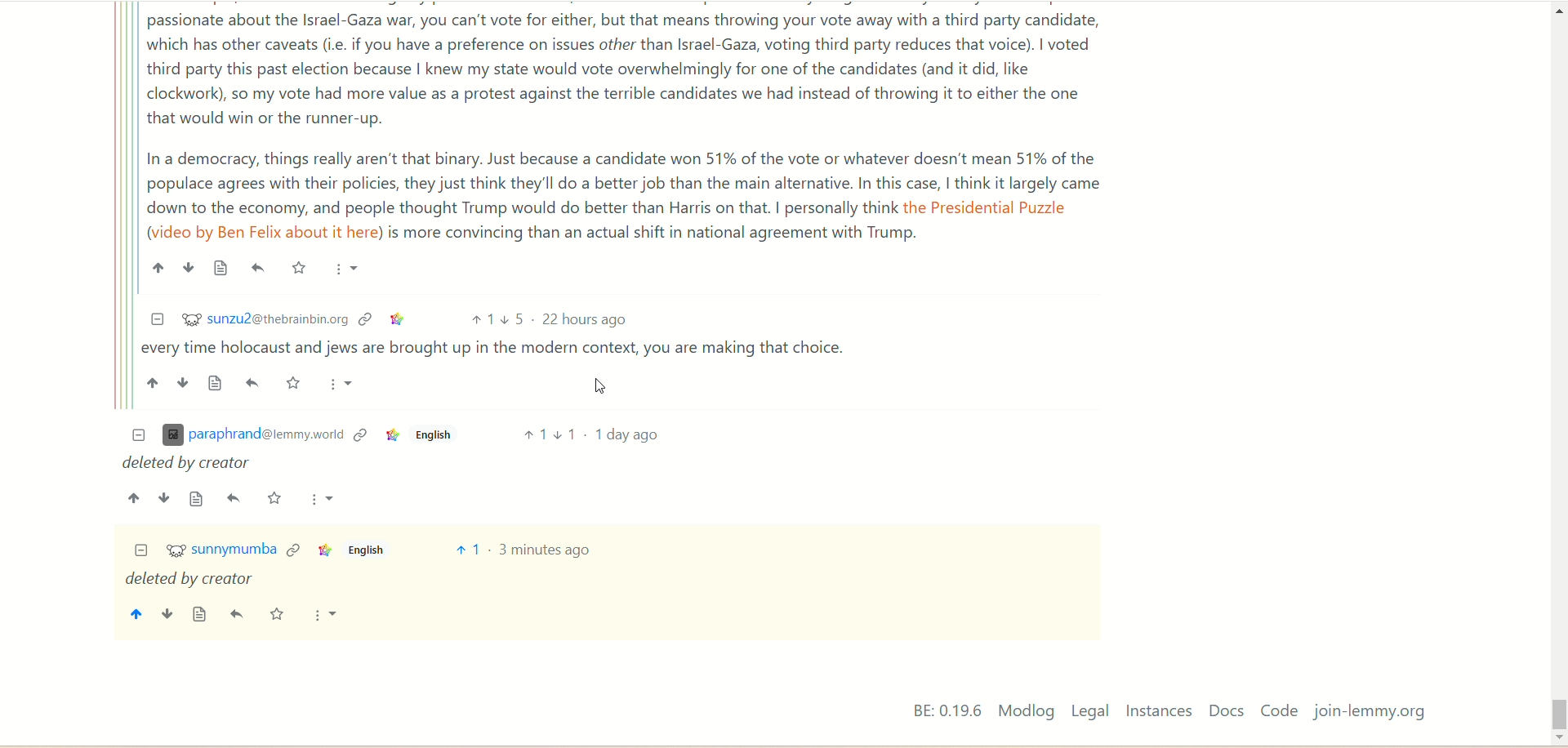  Describe the element at coordinates (341, 385) in the screenshot. I see `More` at that location.